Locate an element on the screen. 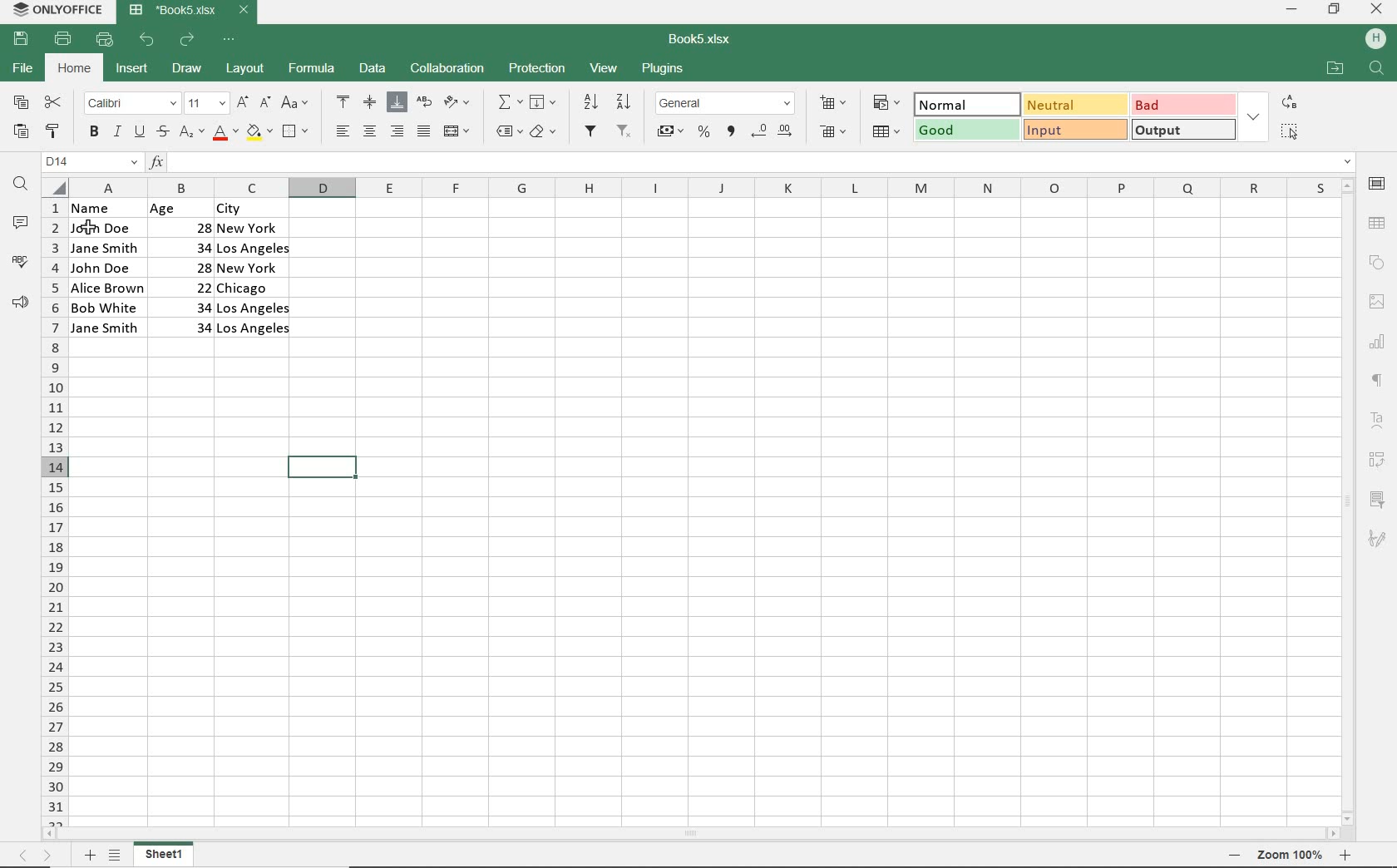  ADD SHEETS is located at coordinates (89, 856).